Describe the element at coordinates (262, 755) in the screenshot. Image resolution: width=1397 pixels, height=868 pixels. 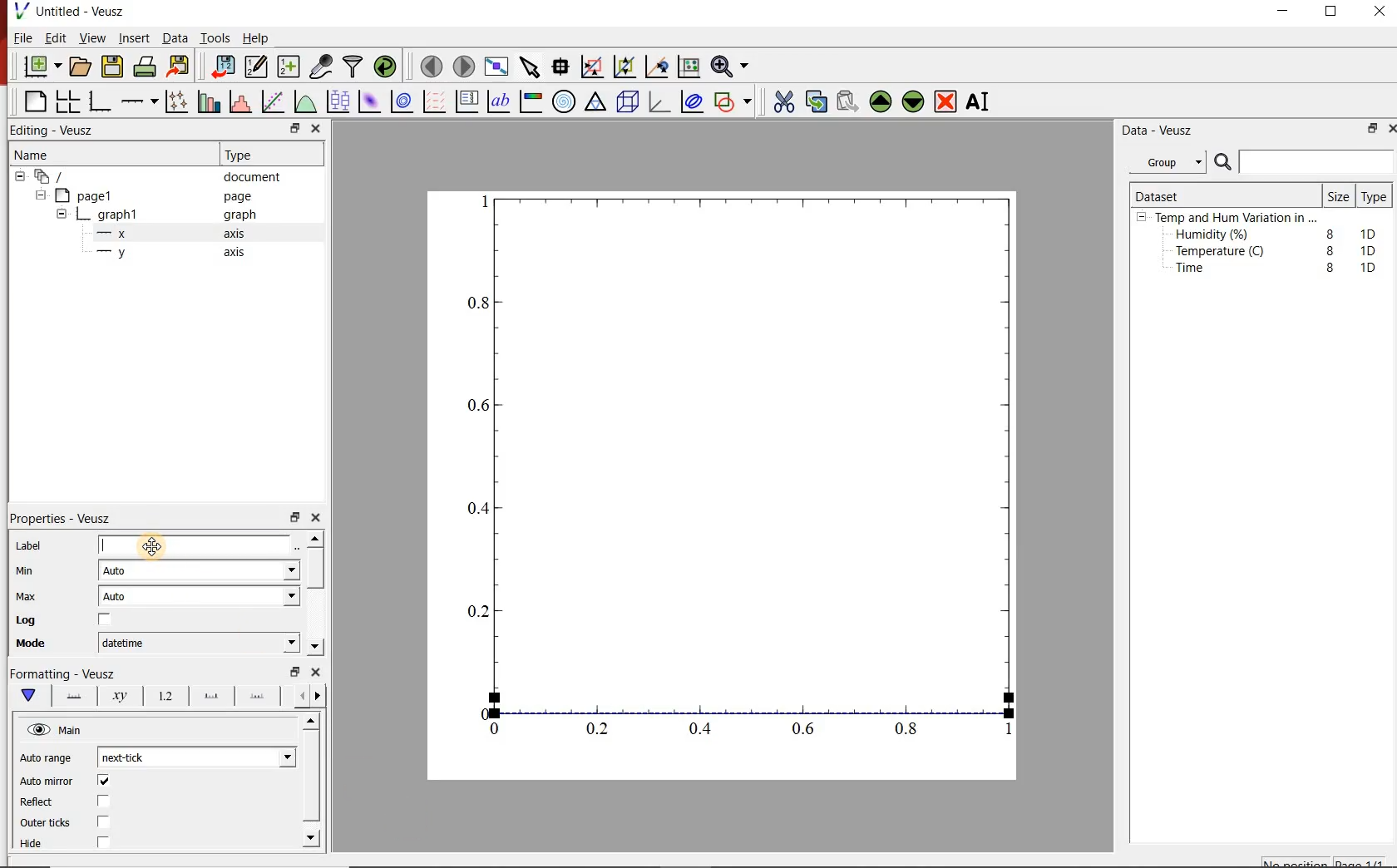
I see `Auto range dropdown` at that location.